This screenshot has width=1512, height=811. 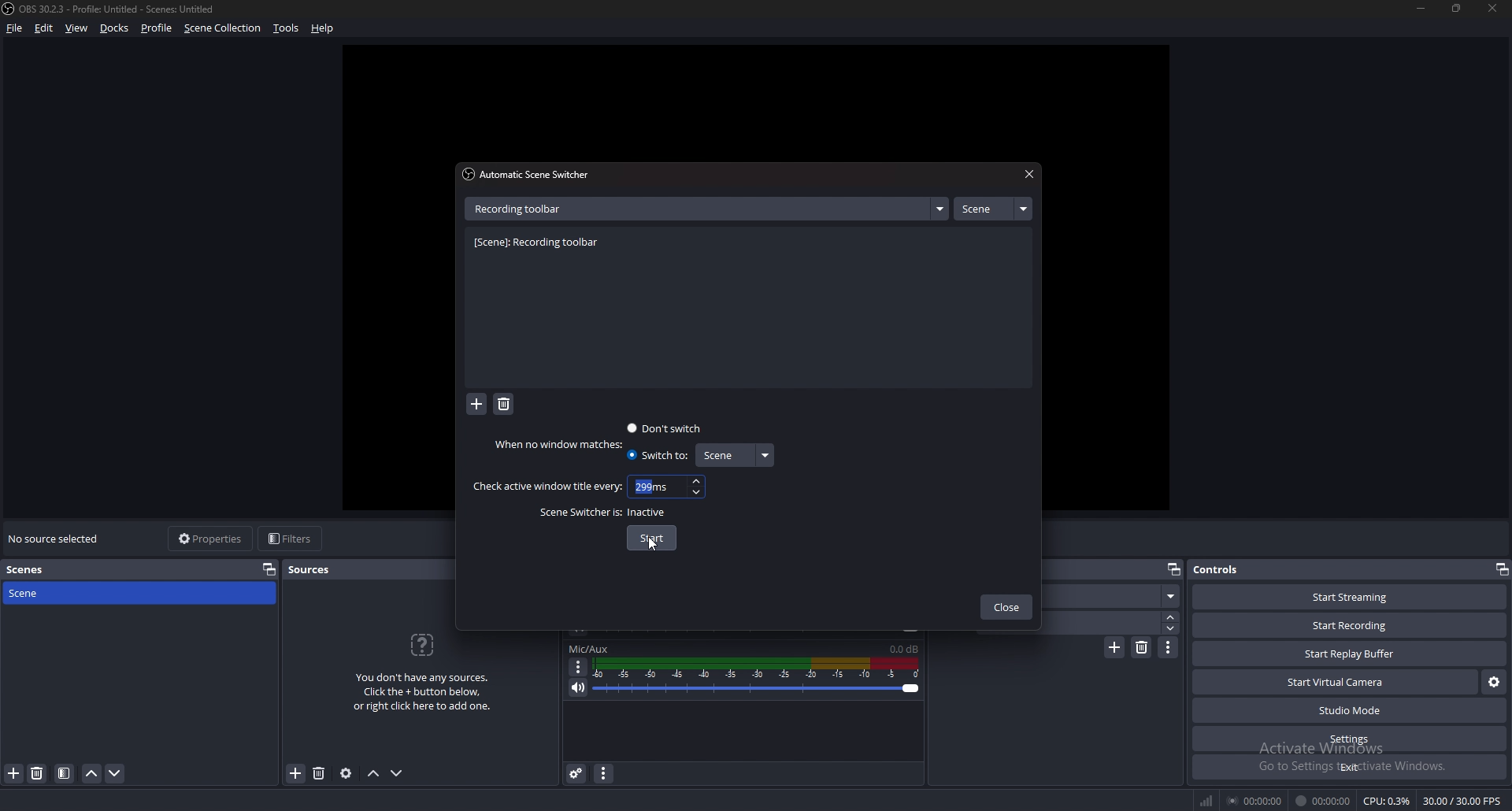 I want to click on add source, so click(x=296, y=774).